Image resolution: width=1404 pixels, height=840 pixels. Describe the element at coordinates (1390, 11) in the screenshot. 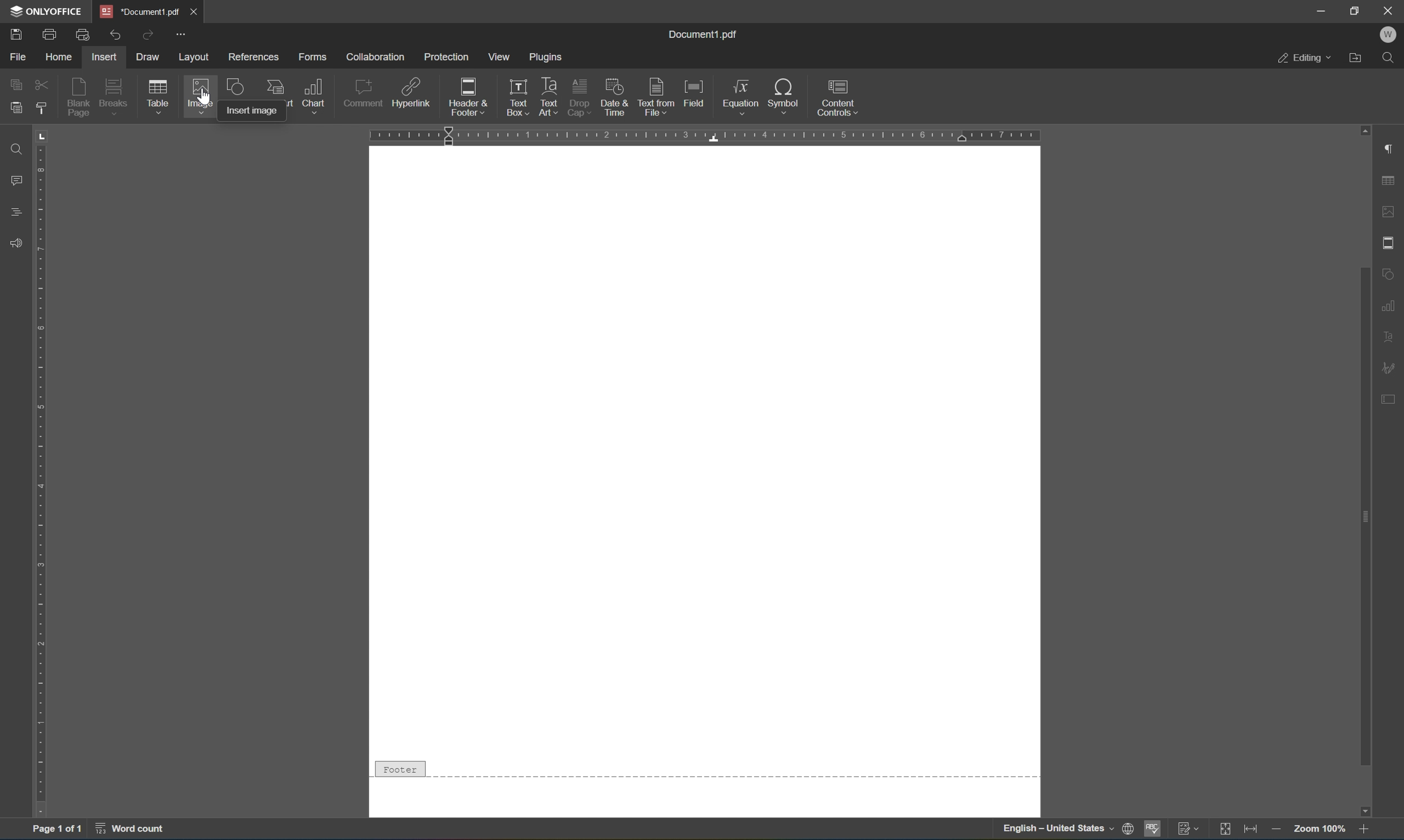

I see `close` at that location.